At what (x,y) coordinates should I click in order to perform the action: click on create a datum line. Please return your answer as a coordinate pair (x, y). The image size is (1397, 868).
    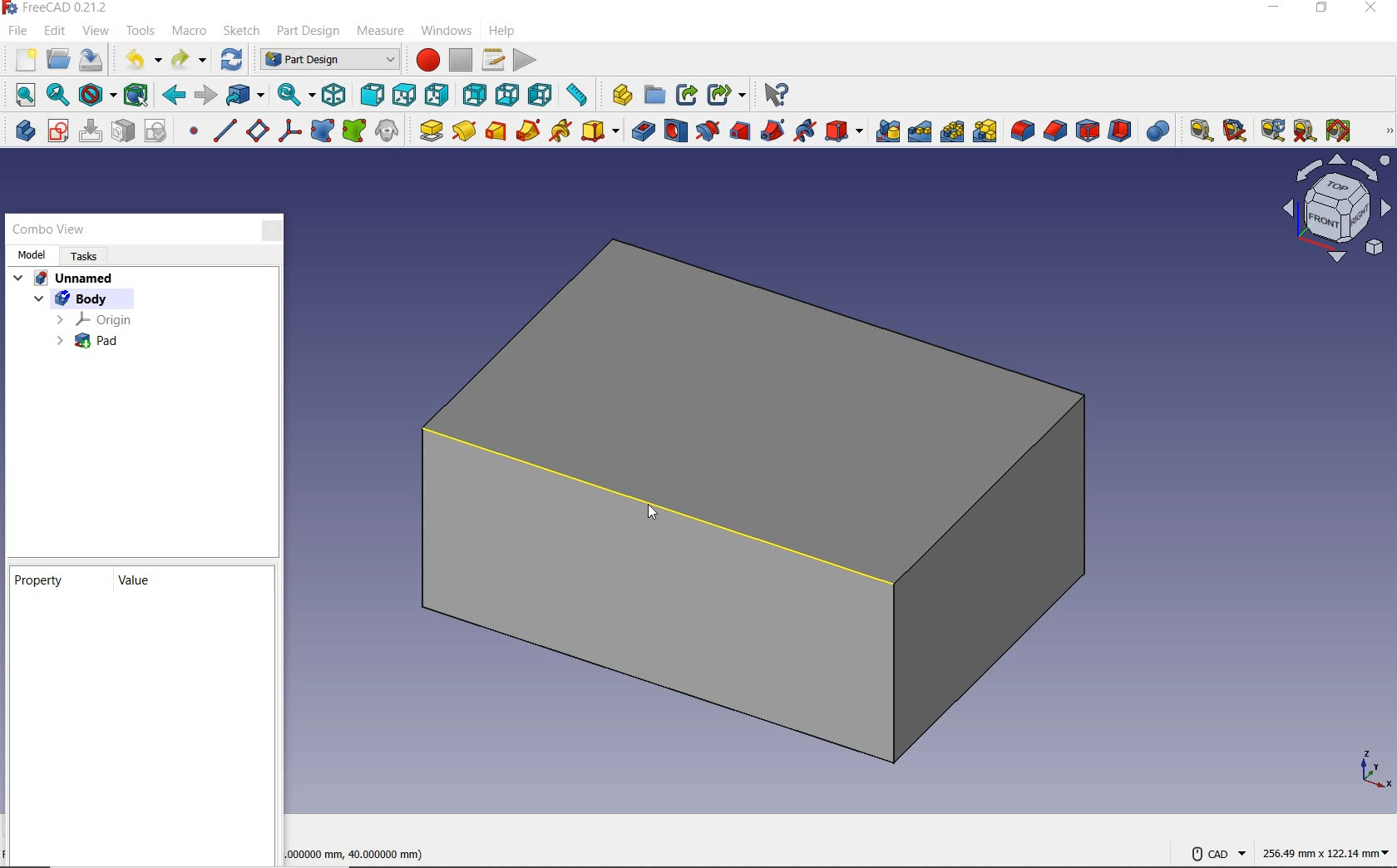
    Looking at the image, I should click on (222, 131).